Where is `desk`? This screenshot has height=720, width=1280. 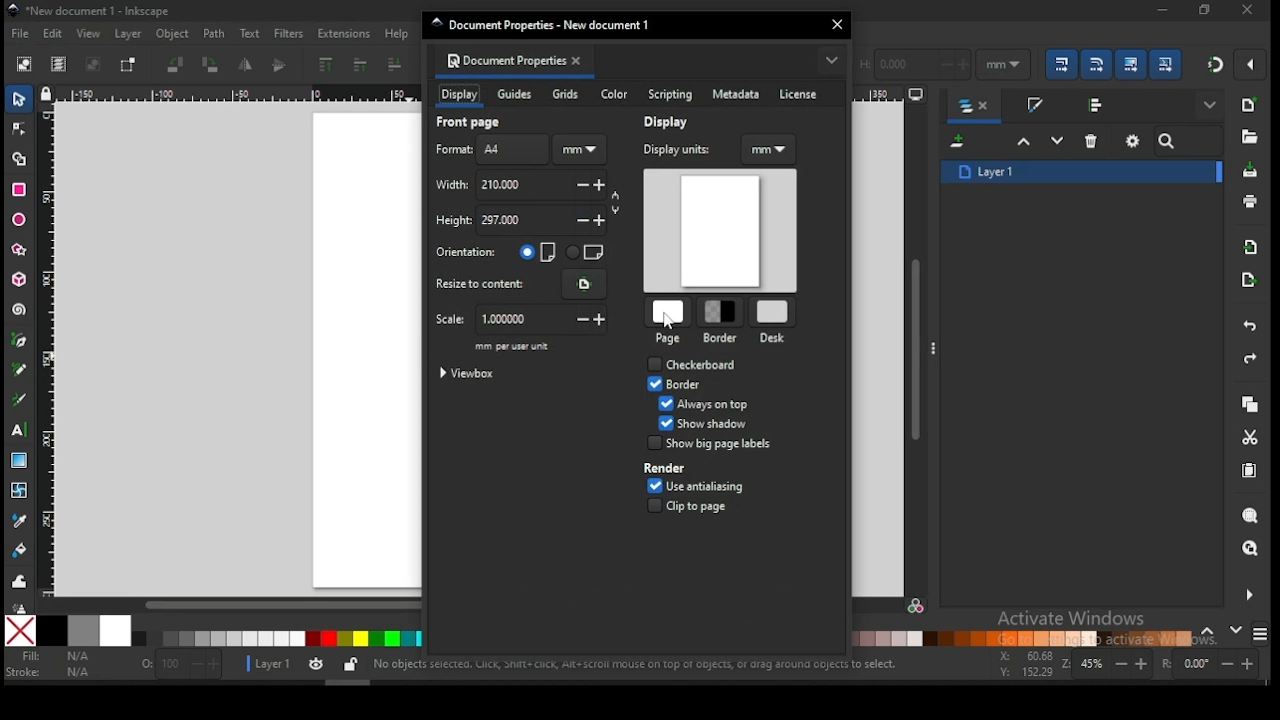 desk is located at coordinates (773, 312).